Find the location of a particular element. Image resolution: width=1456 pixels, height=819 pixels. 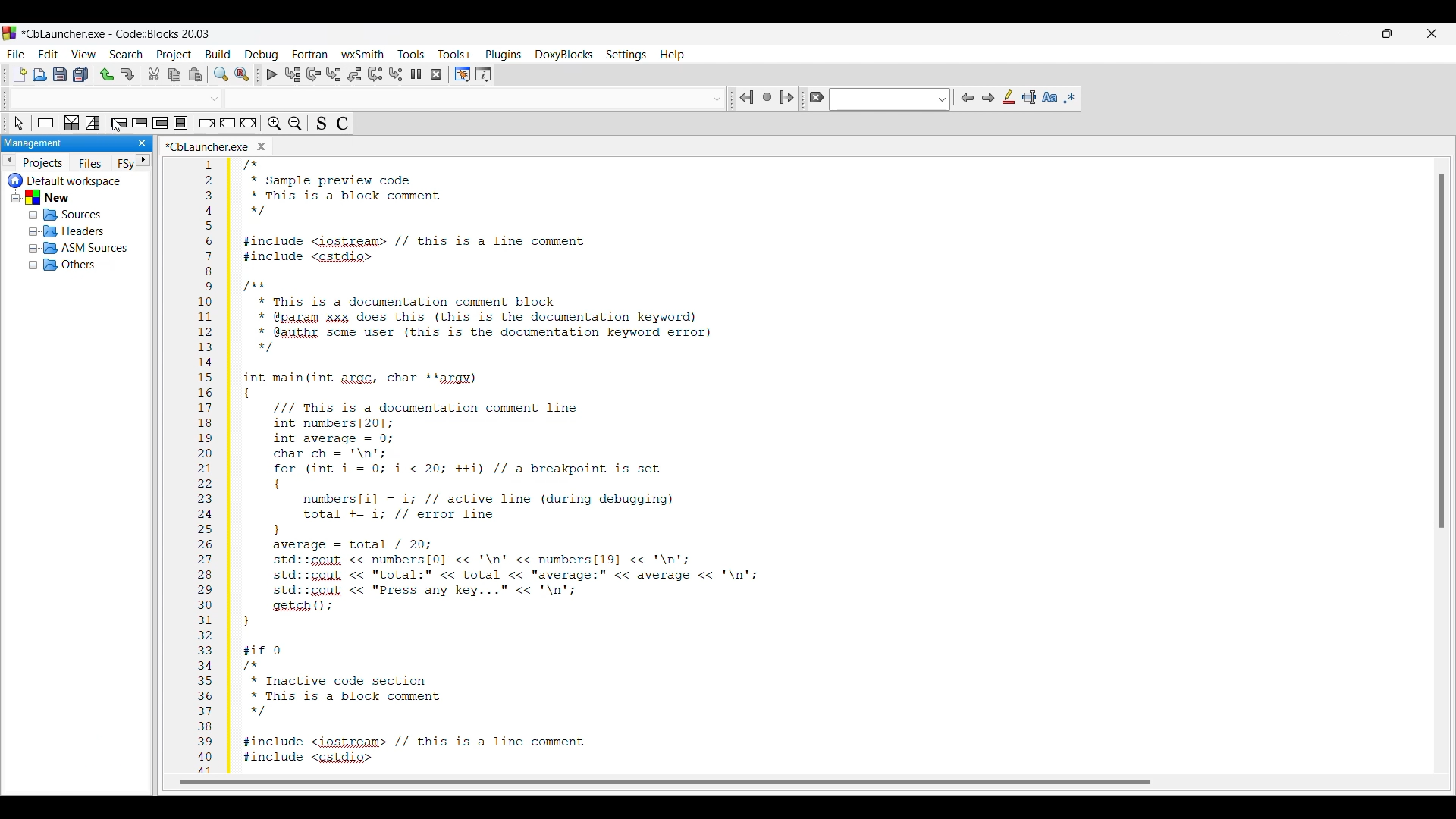

Find is located at coordinates (221, 74).